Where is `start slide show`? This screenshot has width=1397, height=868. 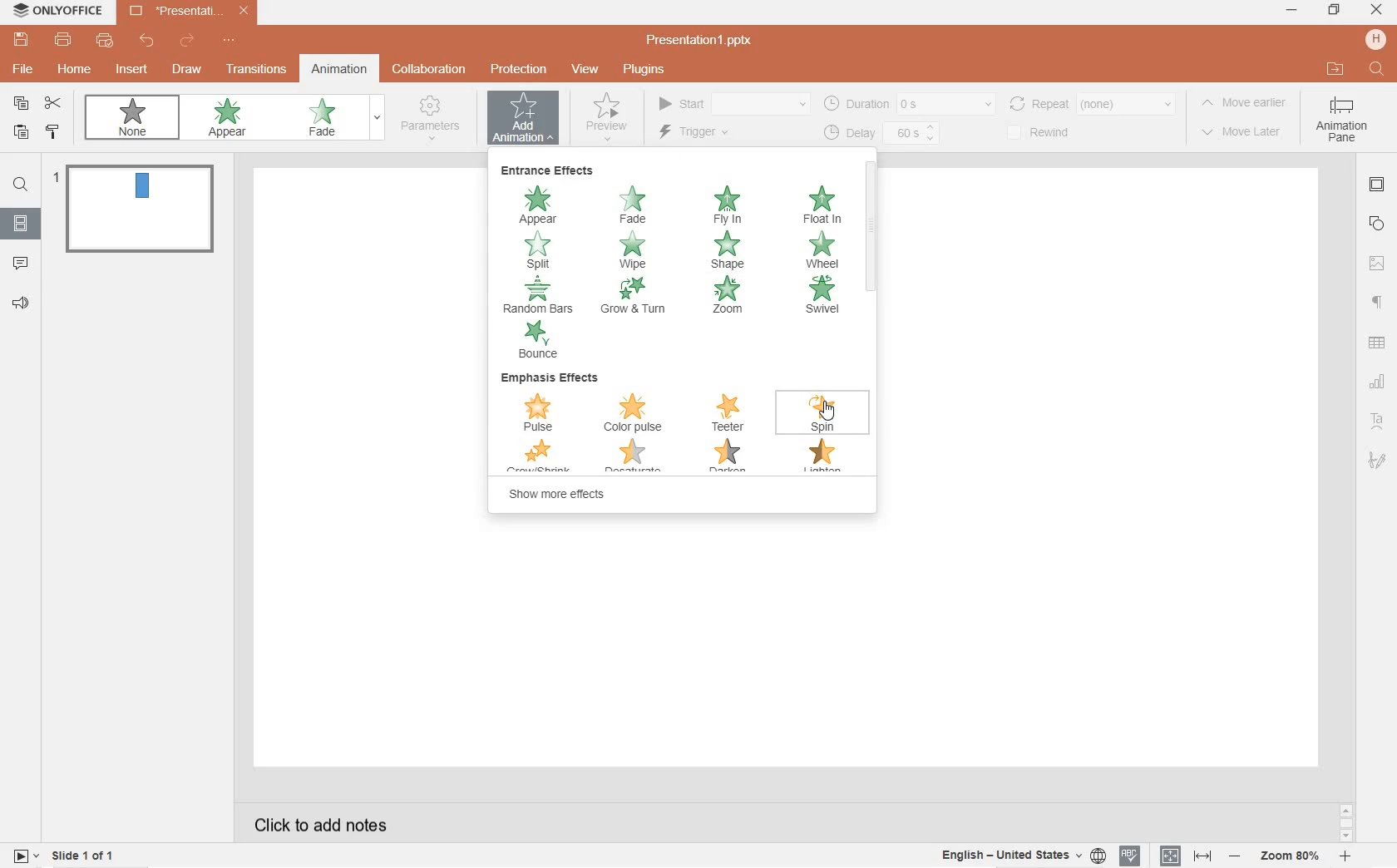 start slide show is located at coordinates (26, 855).